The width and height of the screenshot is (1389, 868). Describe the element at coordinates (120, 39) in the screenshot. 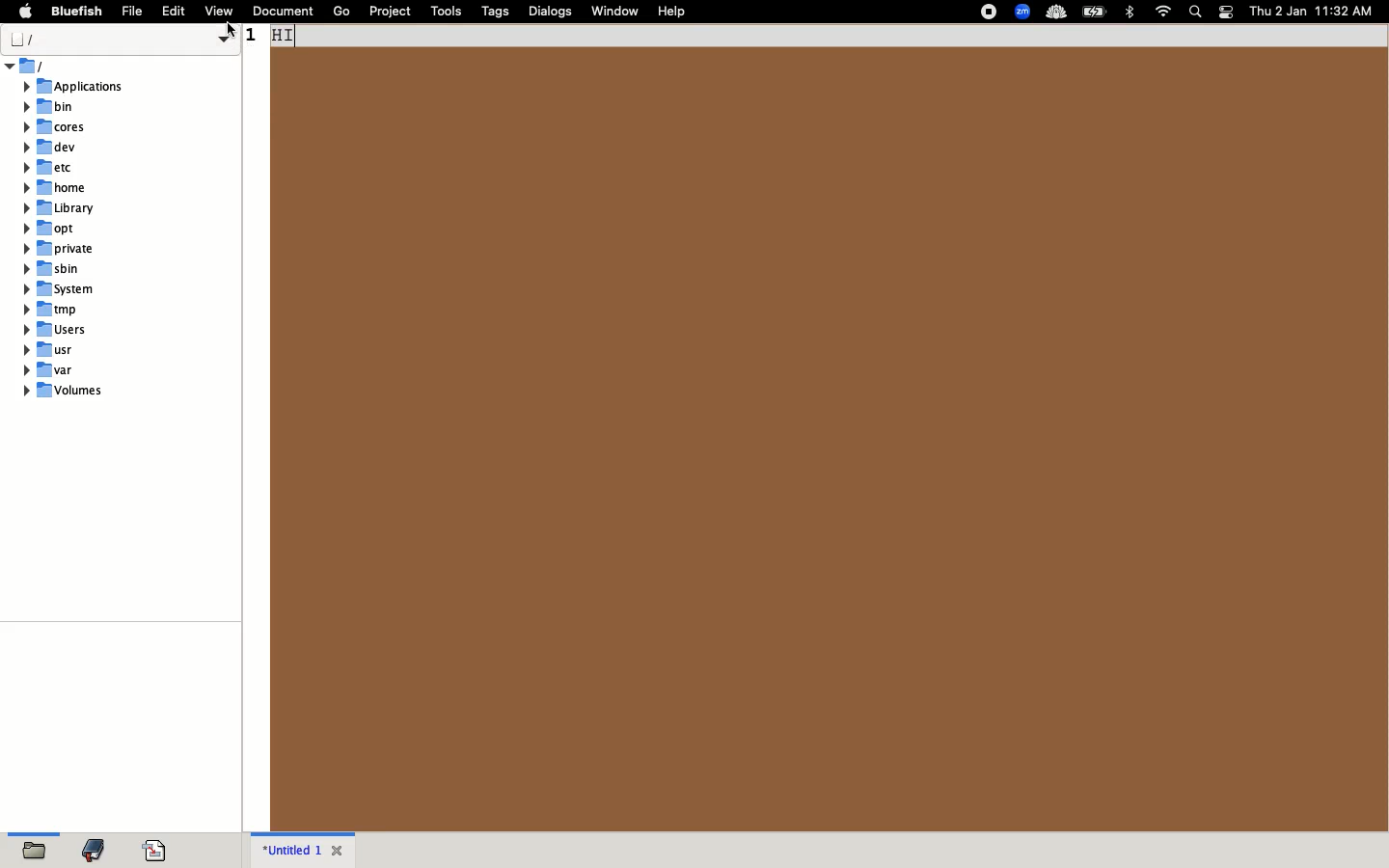

I see `file` at that location.